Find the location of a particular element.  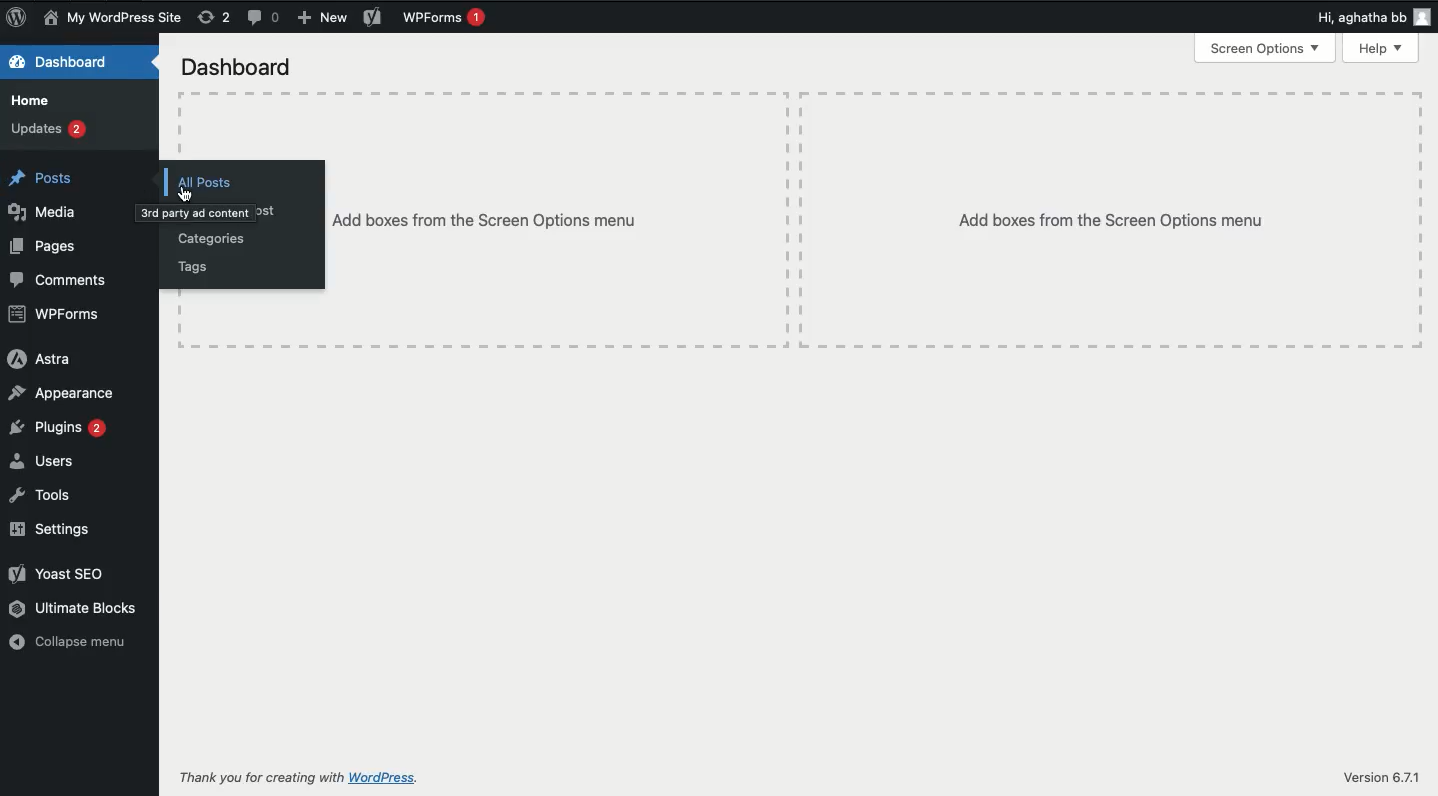

Ultimate blocks is located at coordinates (73, 607).